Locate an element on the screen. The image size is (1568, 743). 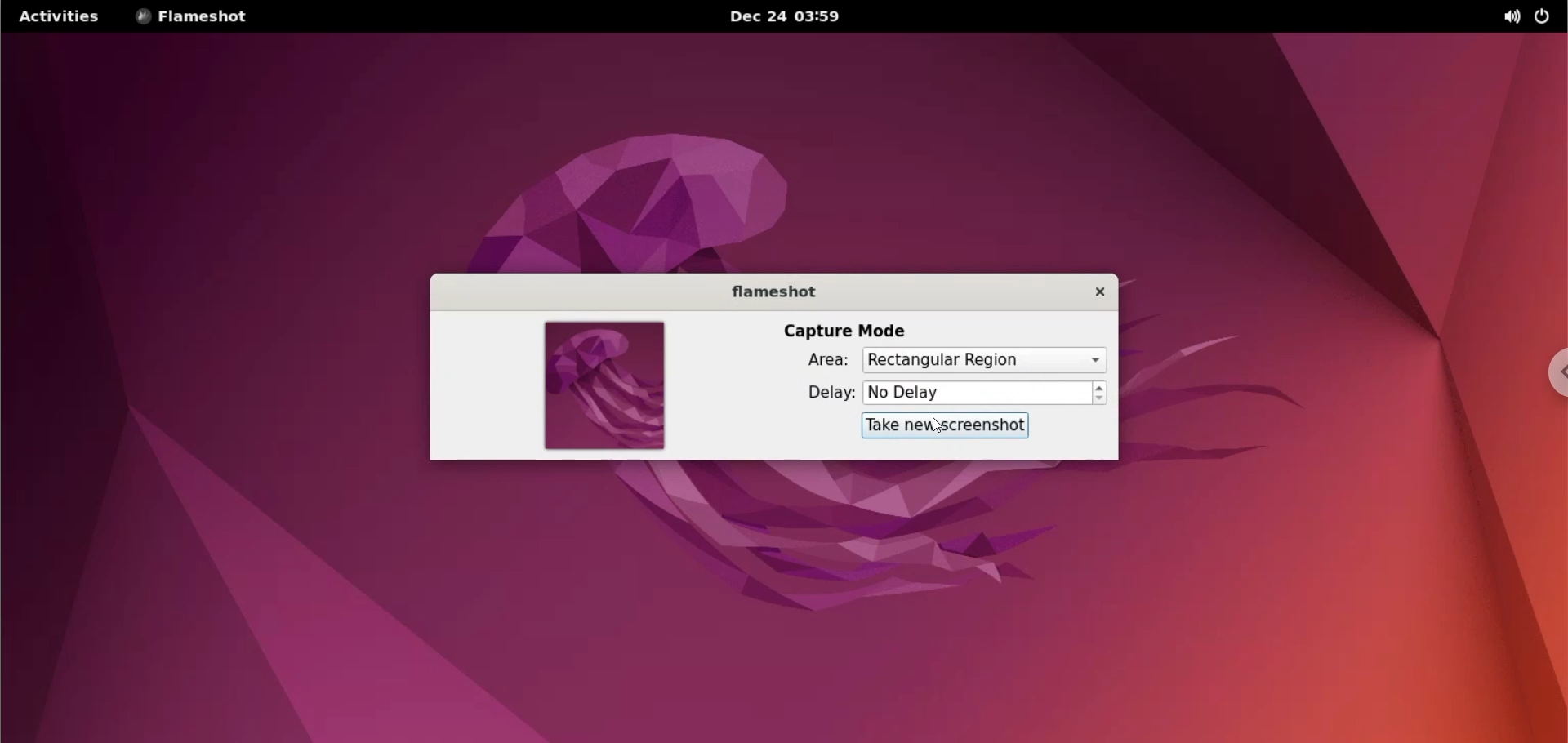
cursor  is located at coordinates (935, 426).